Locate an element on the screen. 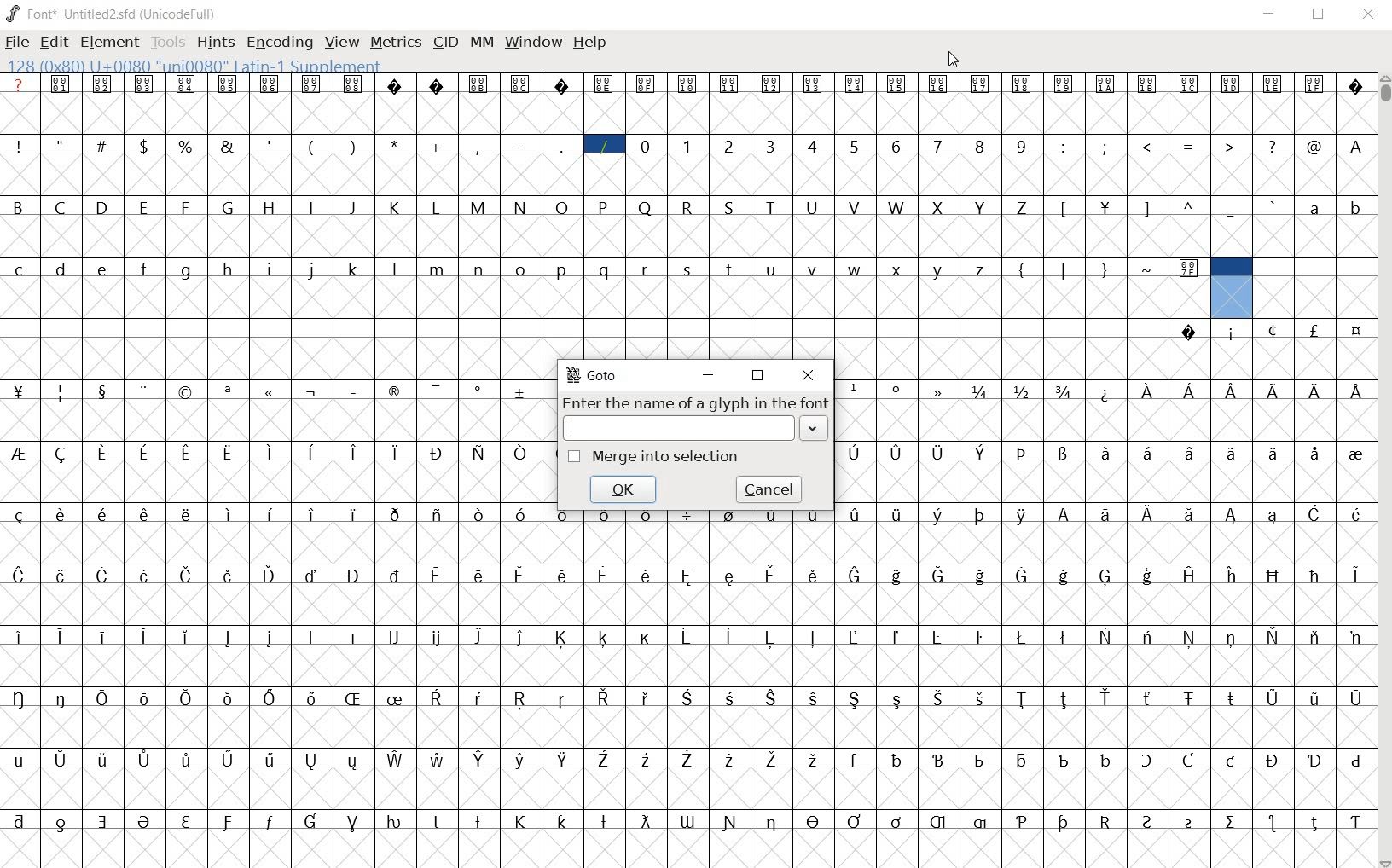 This screenshot has height=868, width=1392. $ is located at coordinates (146, 146).